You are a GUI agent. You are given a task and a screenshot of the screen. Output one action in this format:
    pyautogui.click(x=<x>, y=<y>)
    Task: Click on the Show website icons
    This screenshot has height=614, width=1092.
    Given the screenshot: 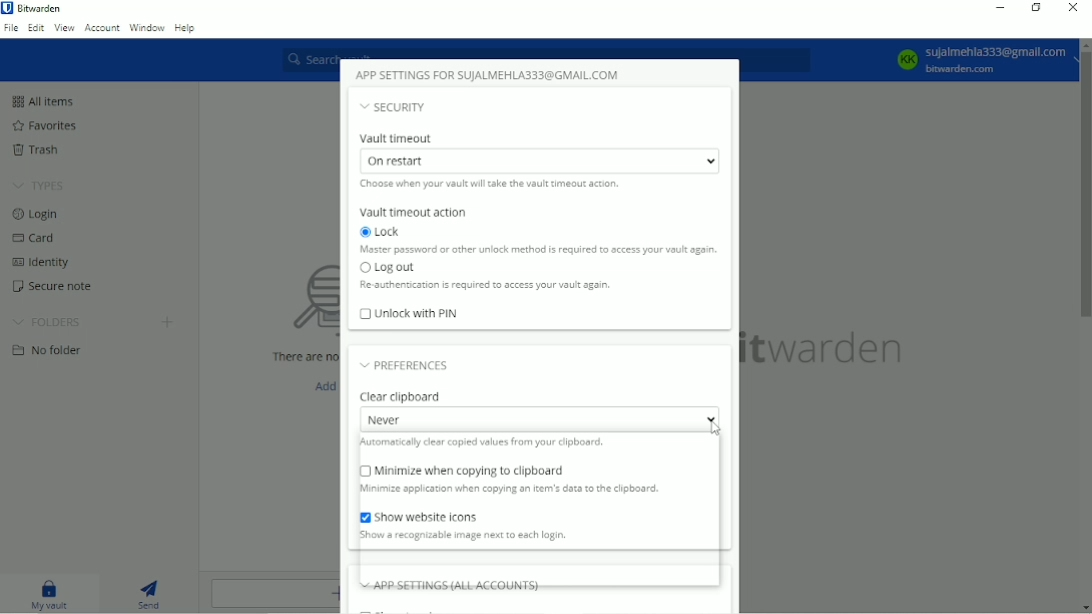 What is the action you would take?
    pyautogui.click(x=467, y=527)
    